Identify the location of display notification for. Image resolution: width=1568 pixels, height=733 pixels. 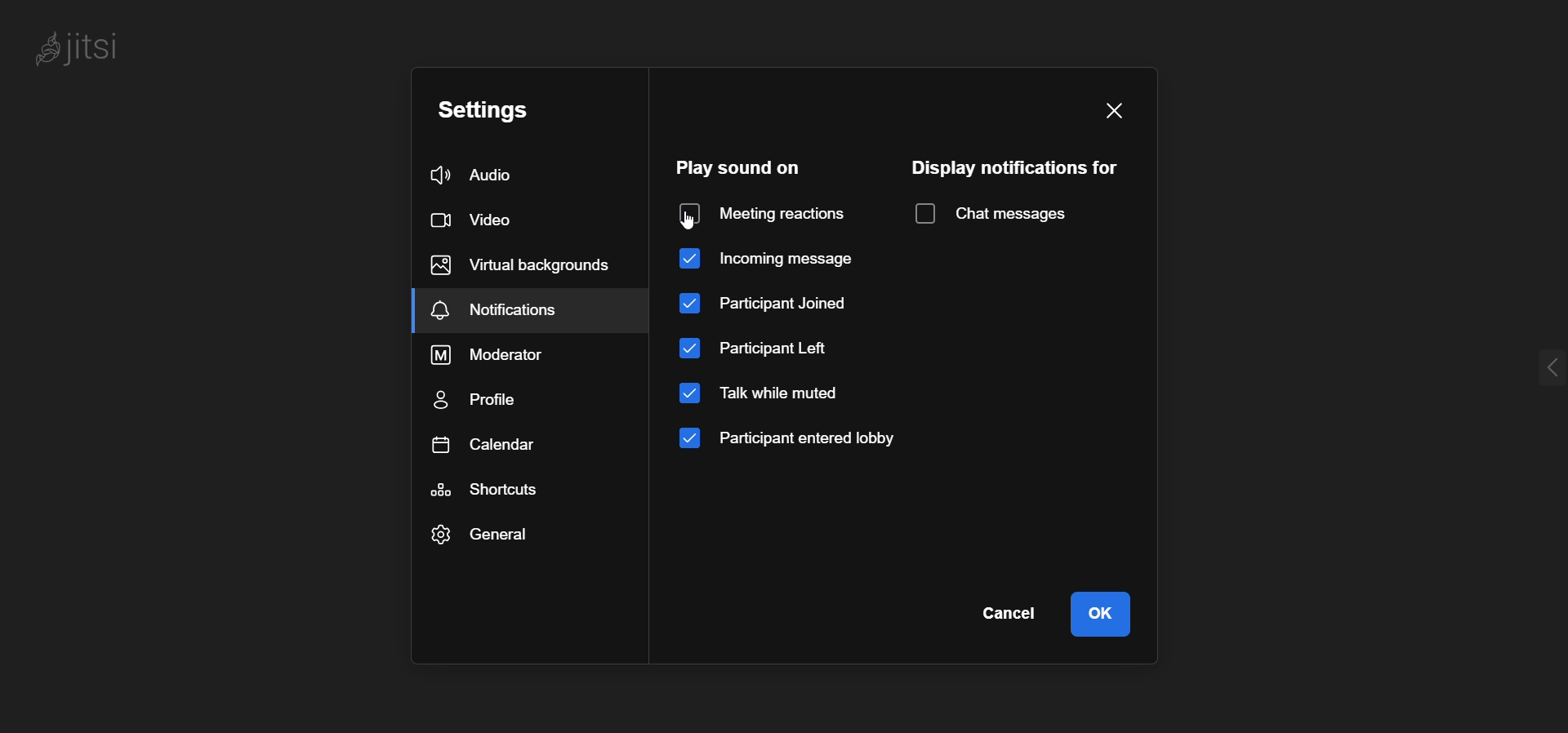
(1013, 168).